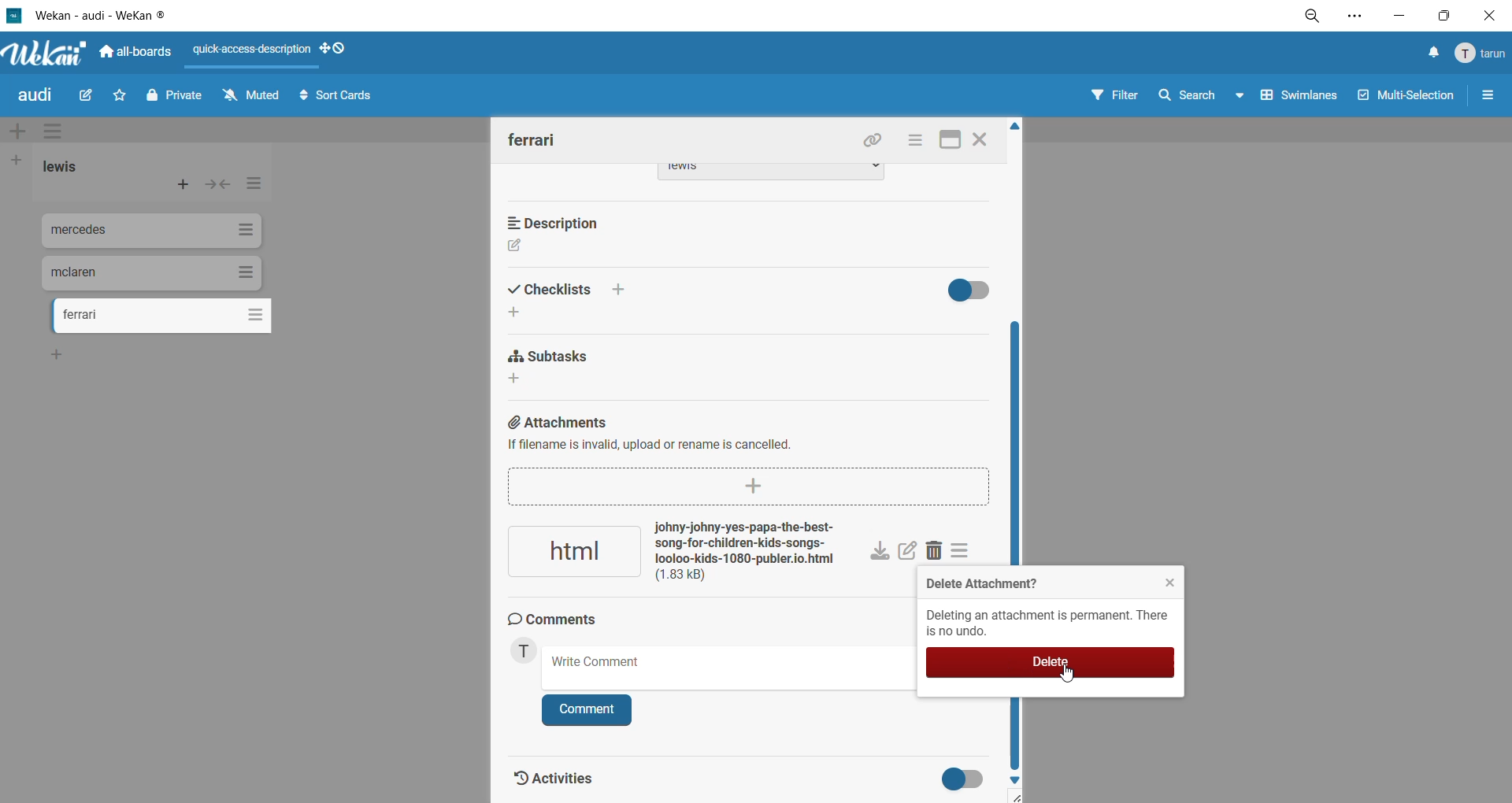  Describe the element at coordinates (556, 775) in the screenshot. I see `activities` at that location.